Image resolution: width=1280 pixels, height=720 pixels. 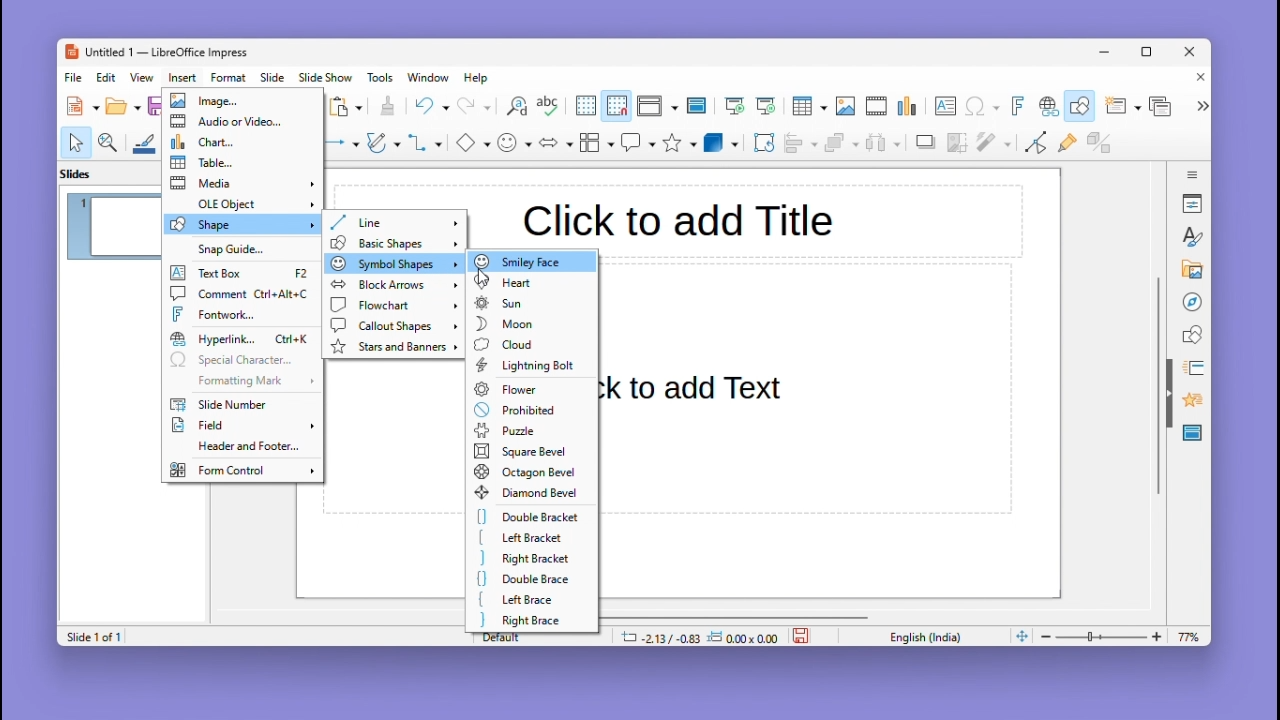 I want to click on sun, so click(x=532, y=302).